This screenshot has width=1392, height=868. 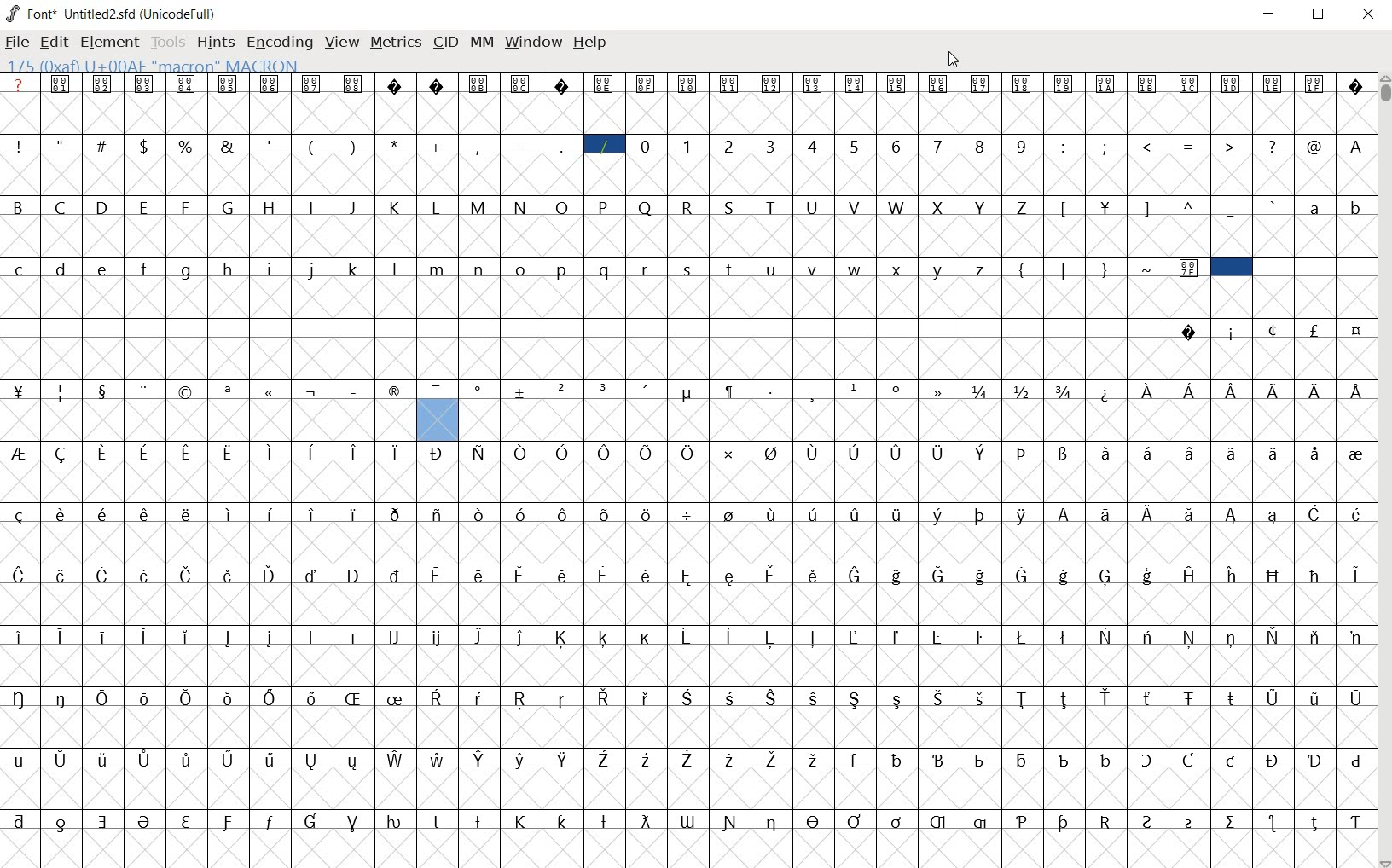 What do you see at coordinates (896, 697) in the screenshot?
I see `Symbol` at bounding box center [896, 697].